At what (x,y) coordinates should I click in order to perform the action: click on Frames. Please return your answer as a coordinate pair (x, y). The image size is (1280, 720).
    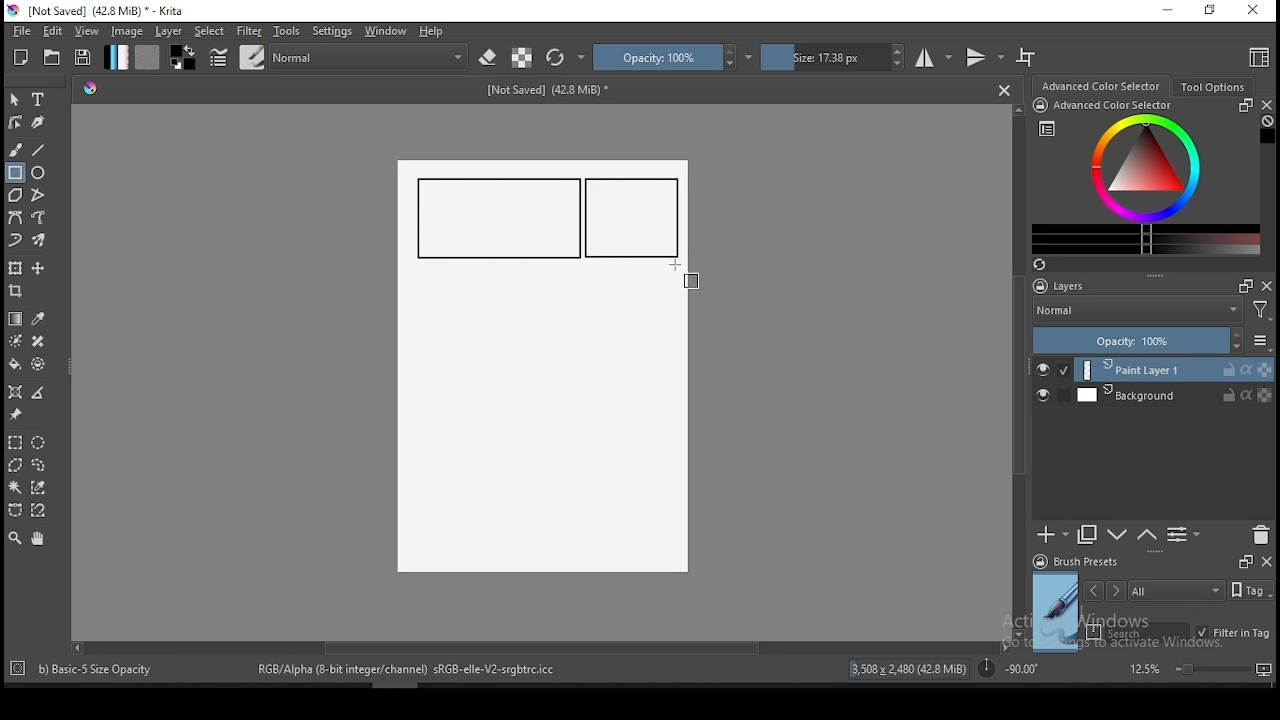
    Looking at the image, I should click on (1245, 561).